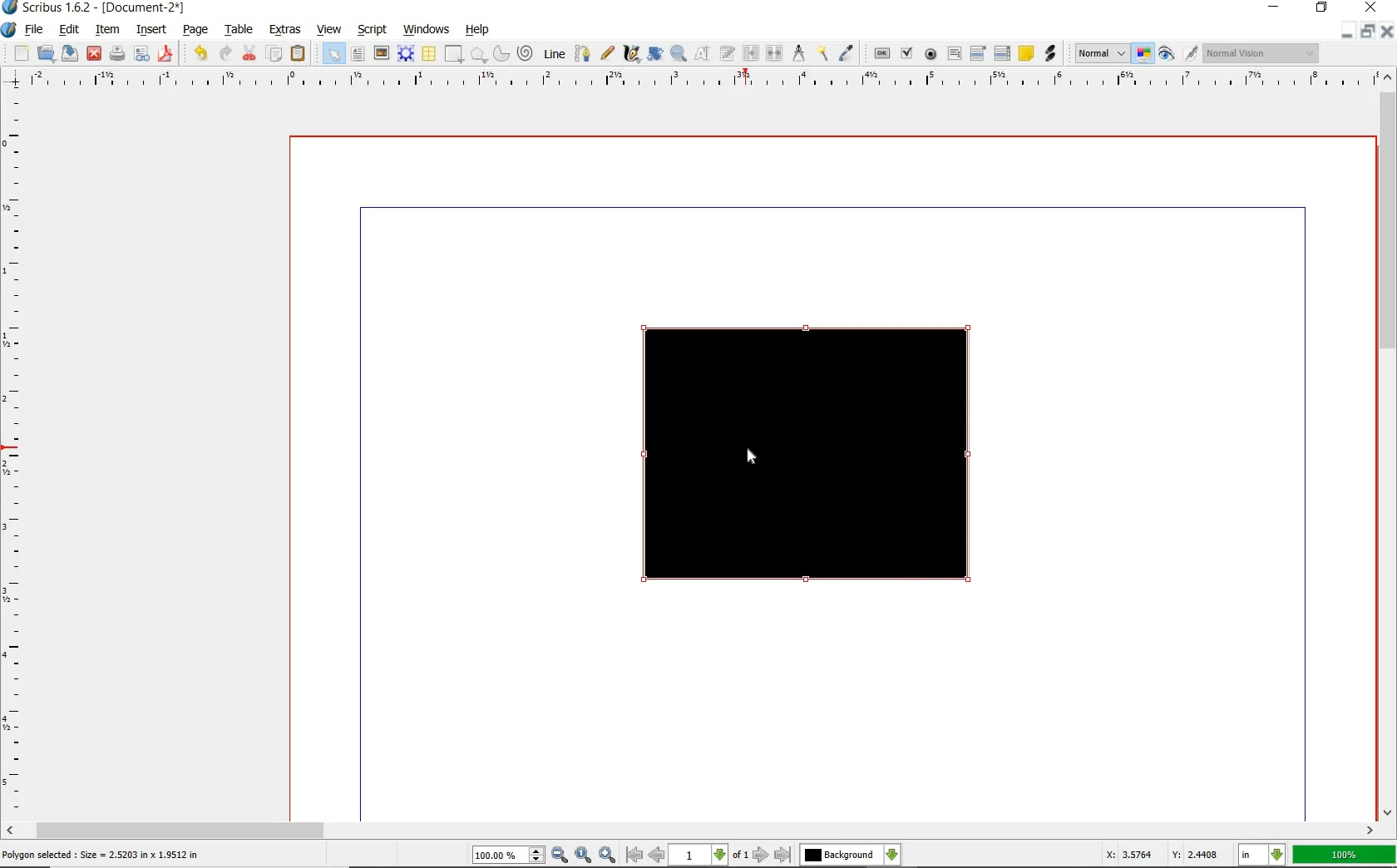  What do you see at coordinates (478, 53) in the screenshot?
I see `polygon` at bounding box center [478, 53].